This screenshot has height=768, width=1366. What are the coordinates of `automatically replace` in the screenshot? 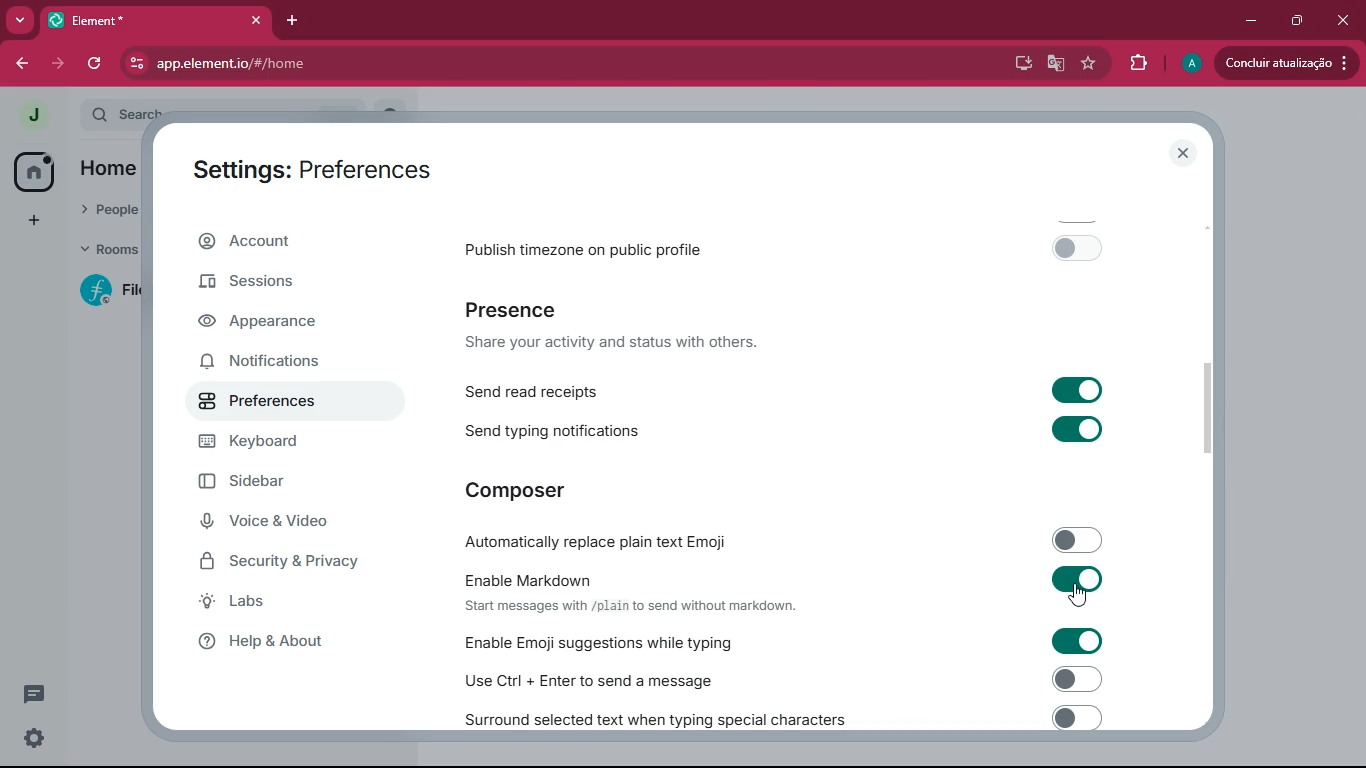 It's located at (784, 537).